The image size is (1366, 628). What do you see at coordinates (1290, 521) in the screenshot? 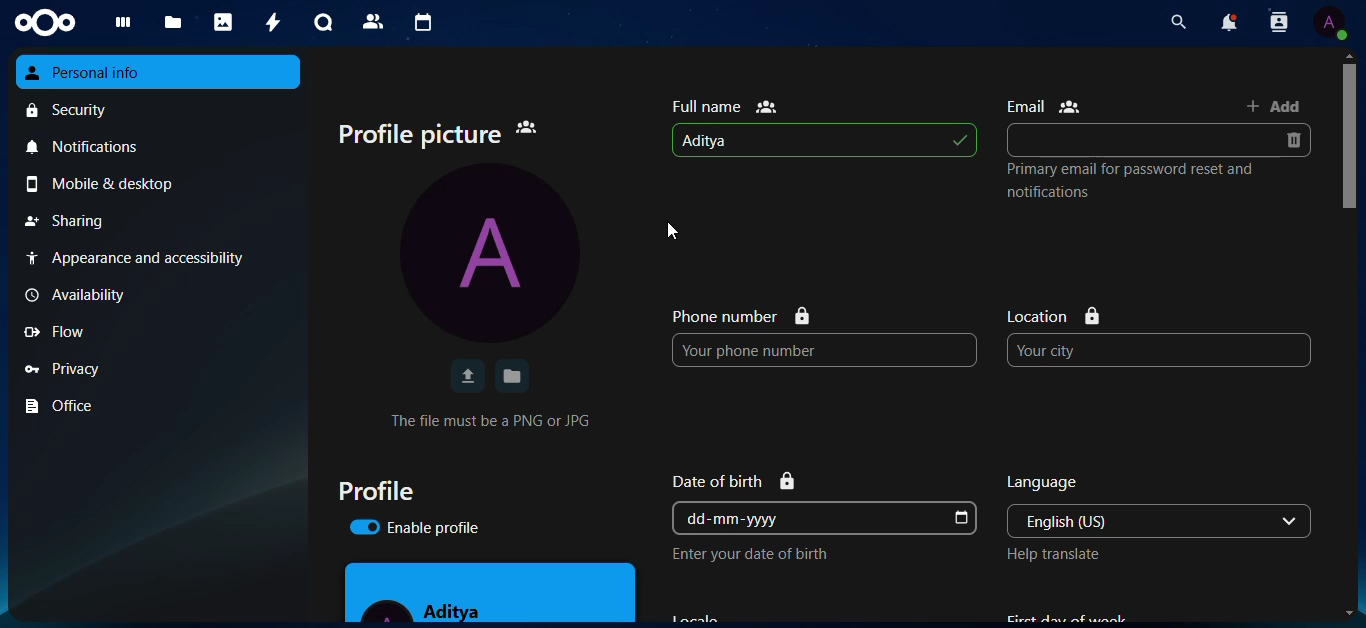
I see `drop down` at bounding box center [1290, 521].